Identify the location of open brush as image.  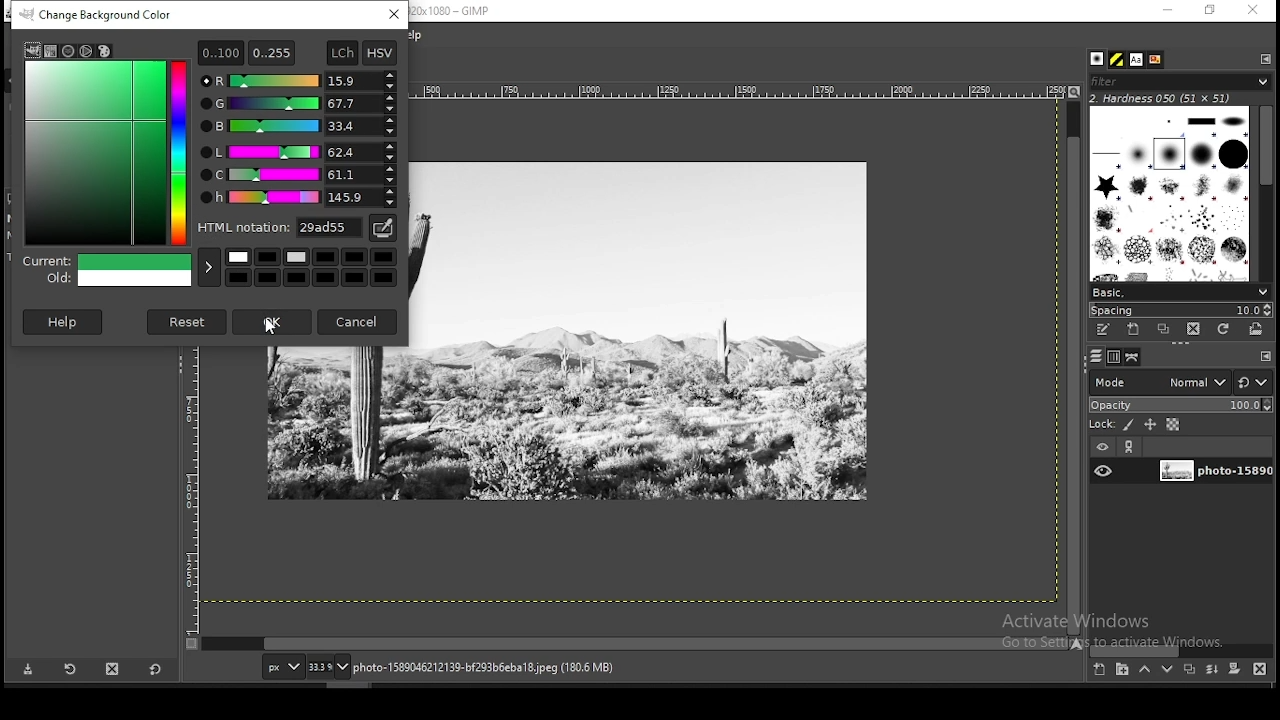
(1257, 330).